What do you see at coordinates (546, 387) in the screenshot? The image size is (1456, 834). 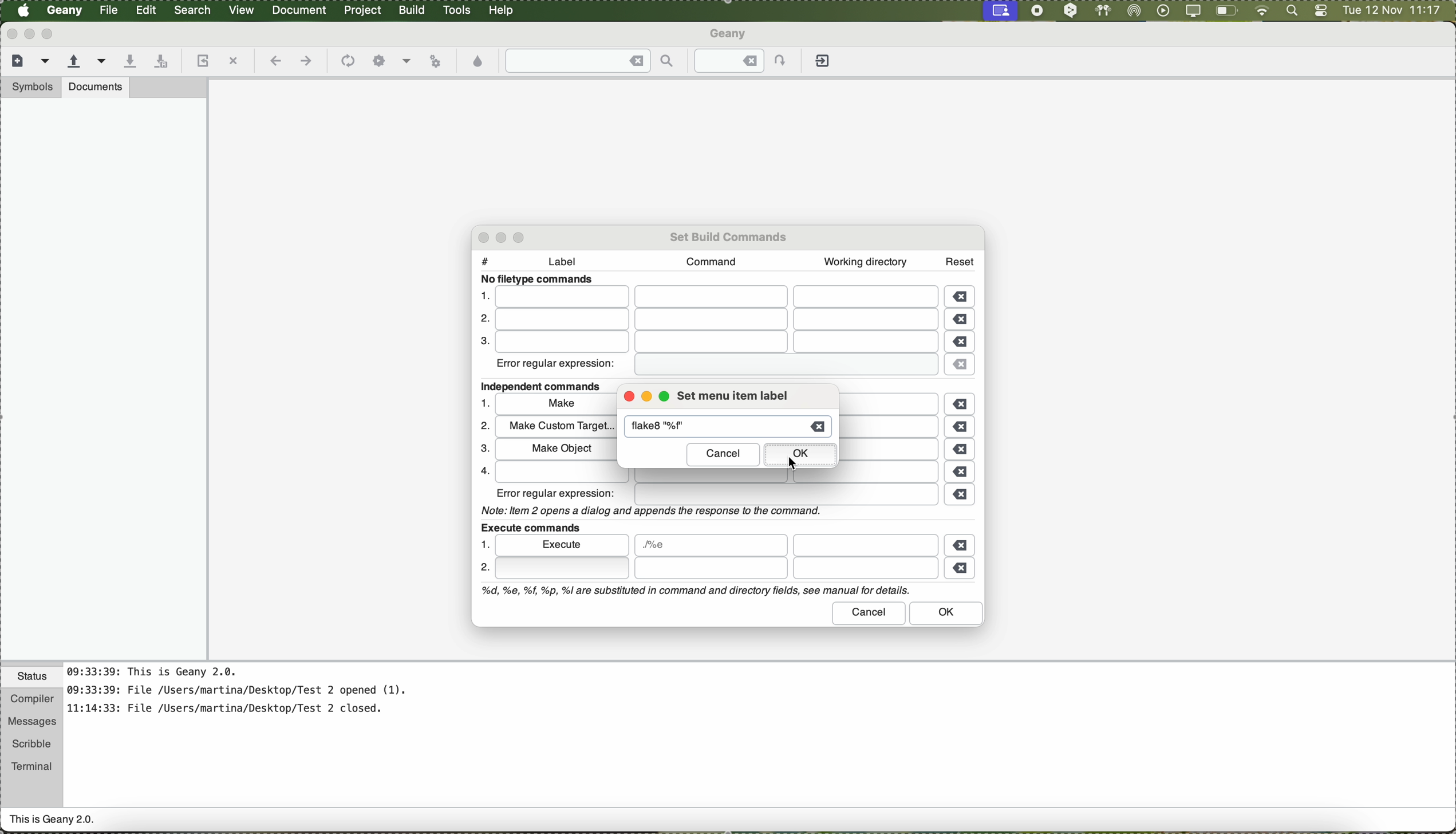 I see `independent commands` at bounding box center [546, 387].